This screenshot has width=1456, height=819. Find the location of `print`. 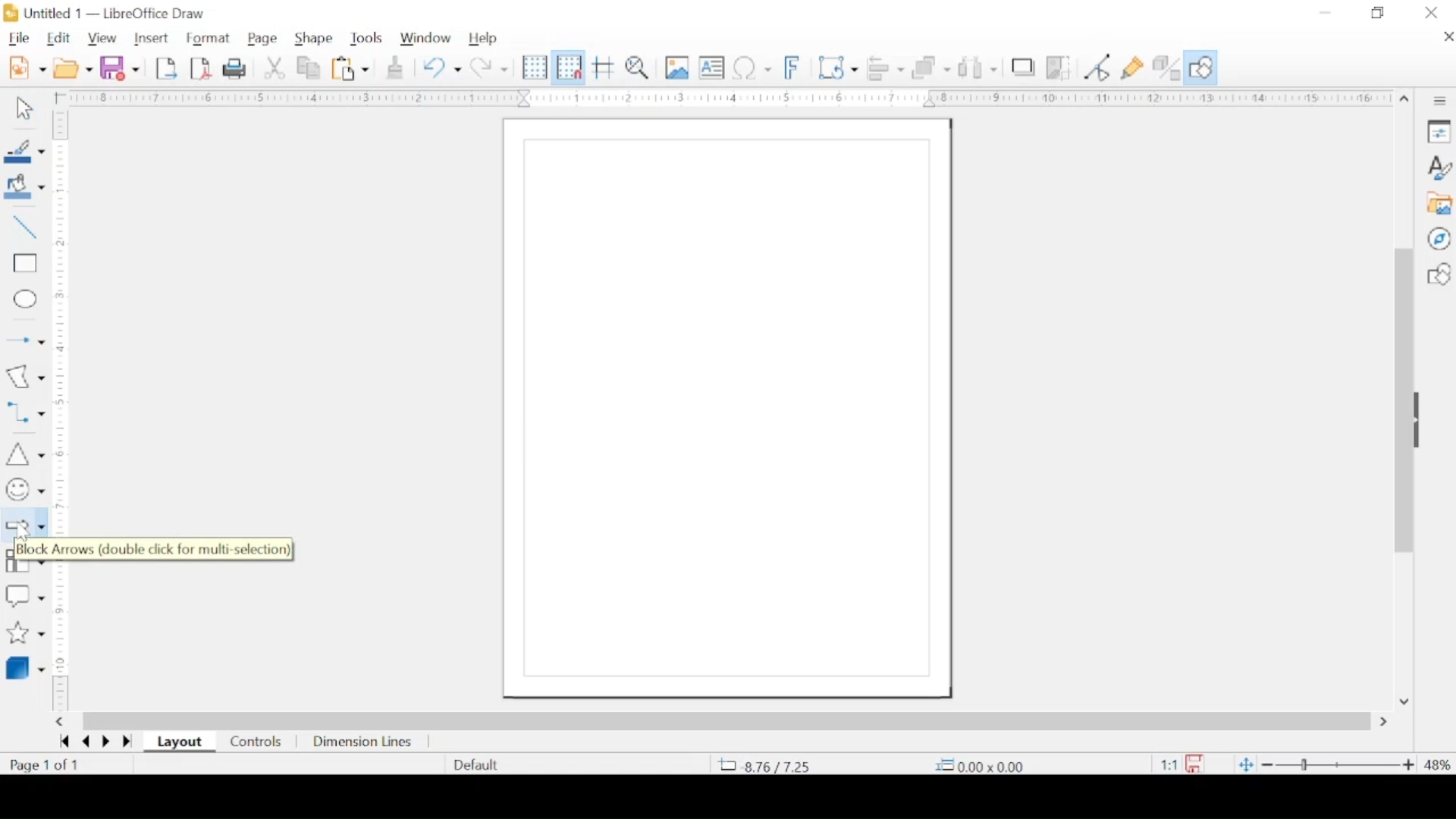

print is located at coordinates (237, 68).